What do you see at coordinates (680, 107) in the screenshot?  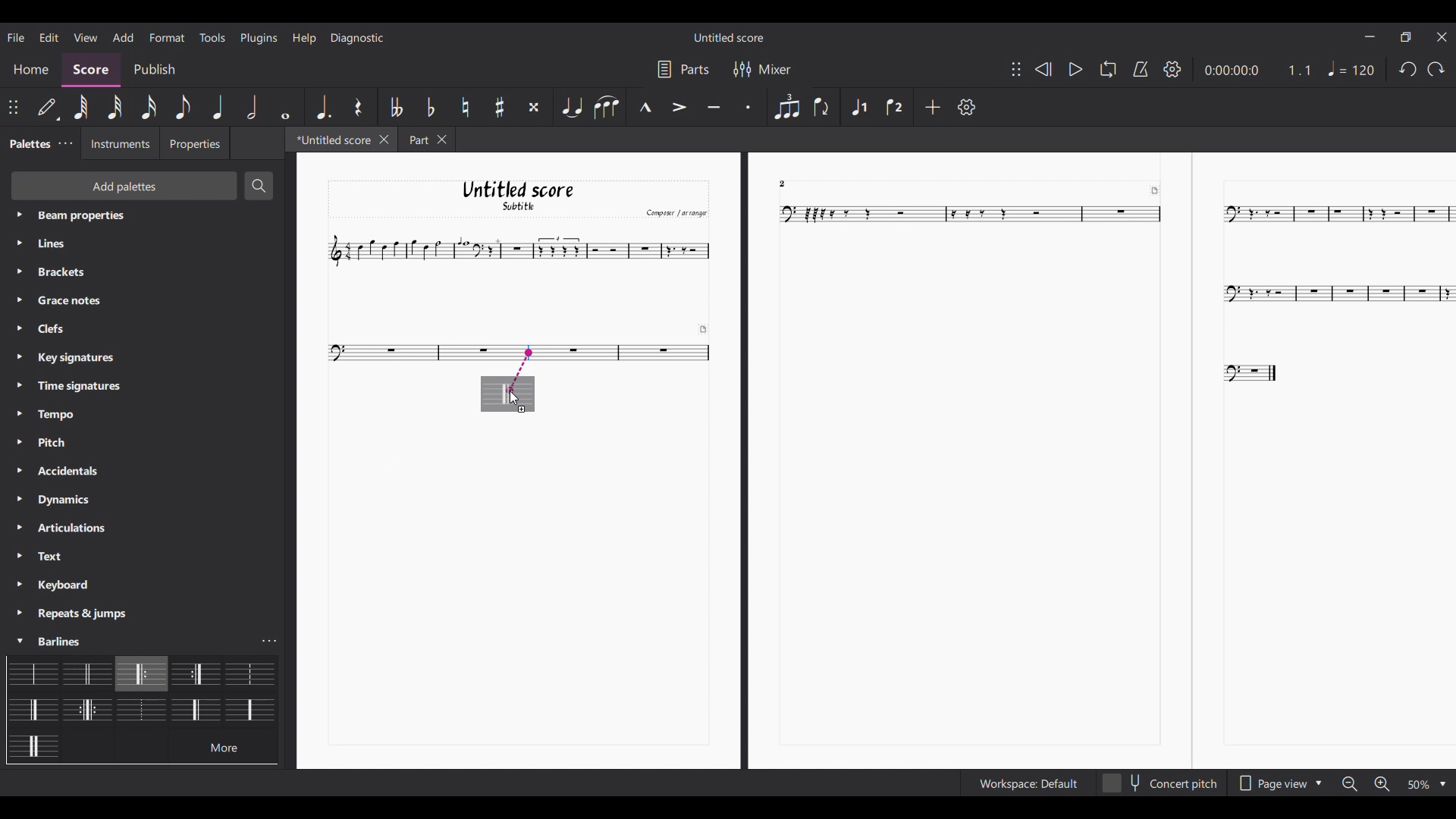 I see `Accent` at bounding box center [680, 107].